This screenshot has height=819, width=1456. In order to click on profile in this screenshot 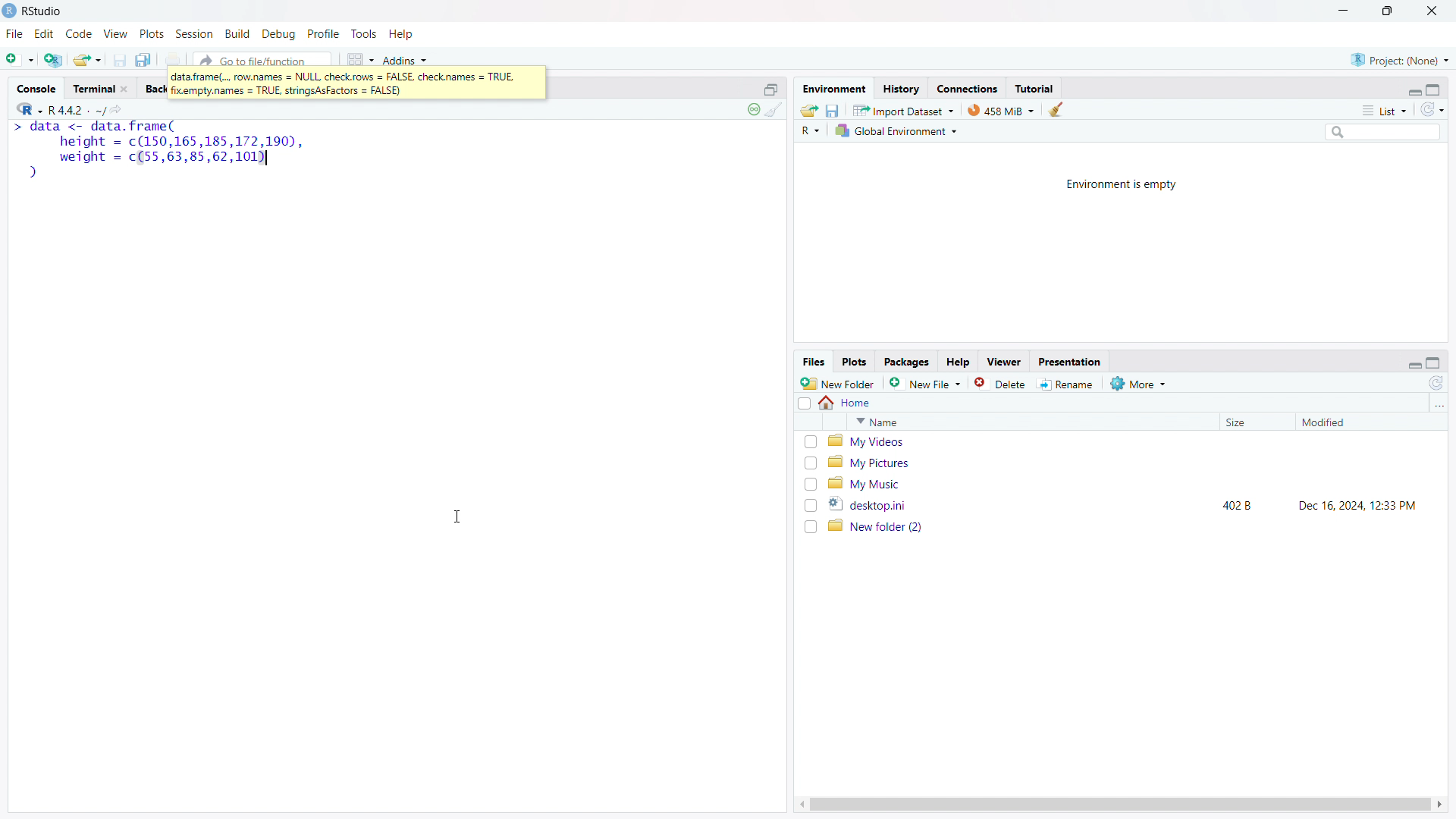, I will do `click(324, 34)`.